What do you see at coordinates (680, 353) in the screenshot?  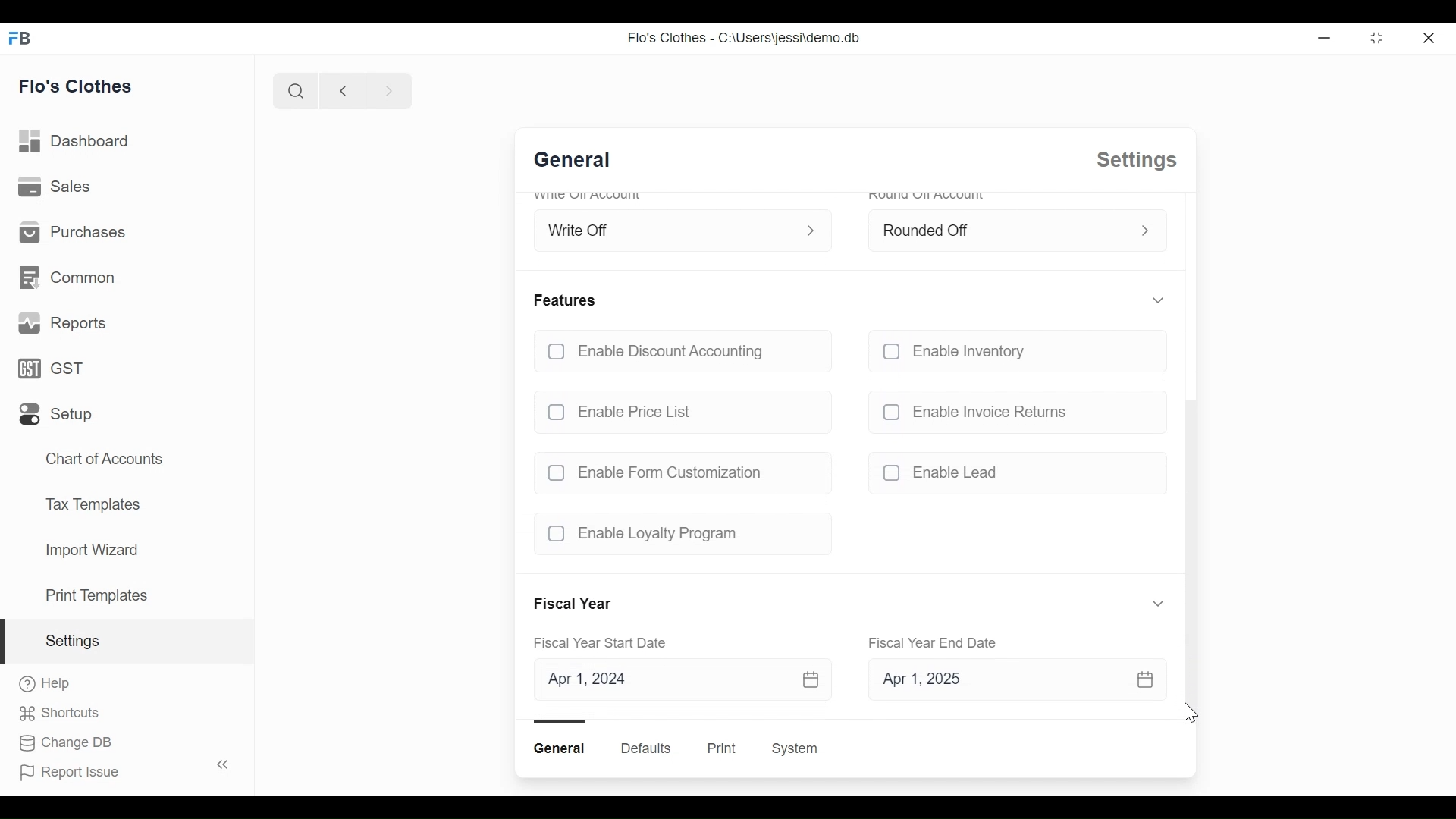 I see `unchecked Enable Discount Accounting` at bounding box center [680, 353].